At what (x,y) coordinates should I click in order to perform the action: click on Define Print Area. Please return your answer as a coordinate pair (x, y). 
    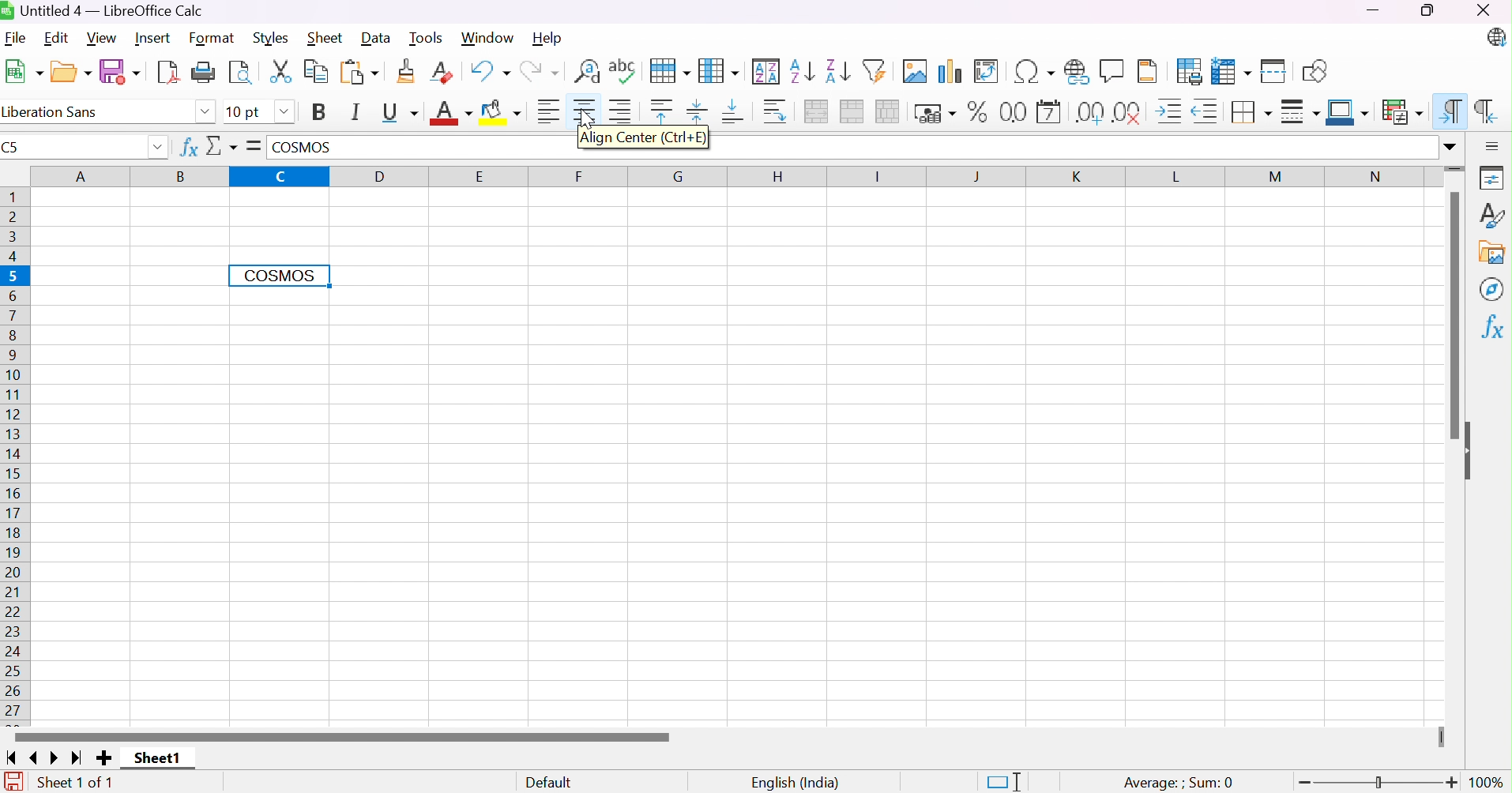
    Looking at the image, I should click on (1190, 72).